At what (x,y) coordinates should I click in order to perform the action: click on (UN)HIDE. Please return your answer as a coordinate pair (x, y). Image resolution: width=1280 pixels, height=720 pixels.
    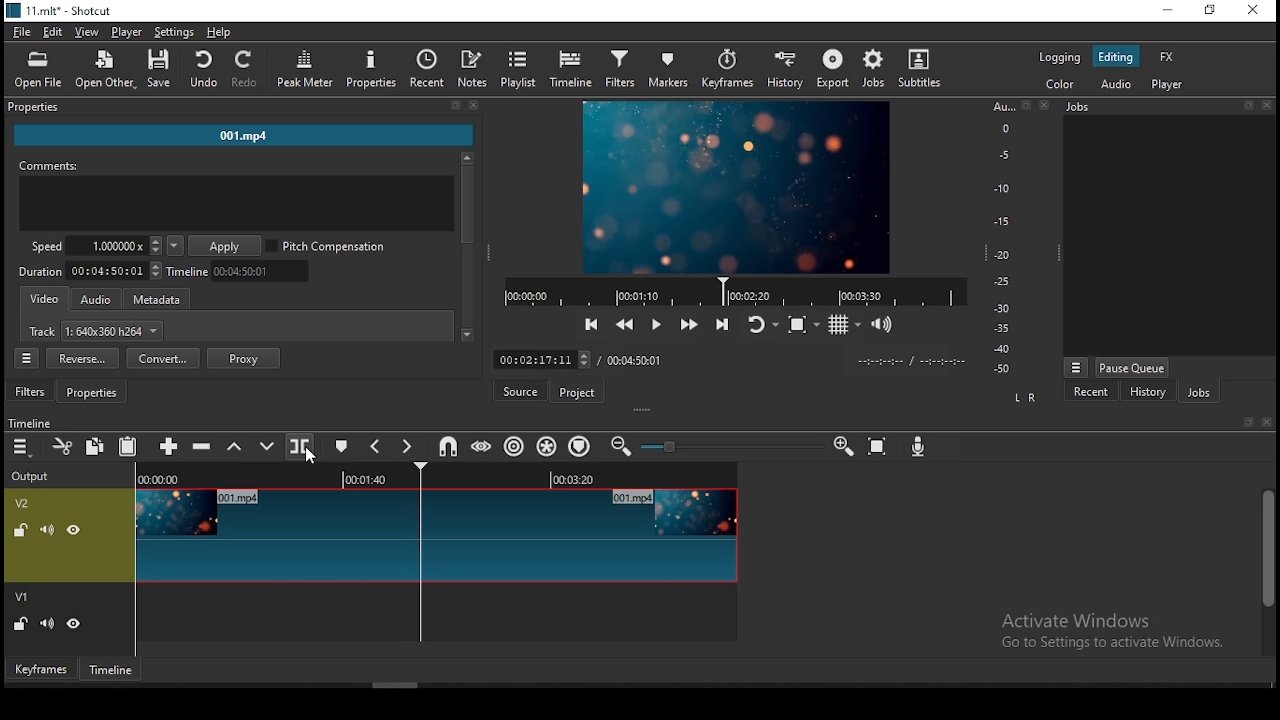
    Looking at the image, I should click on (76, 530).